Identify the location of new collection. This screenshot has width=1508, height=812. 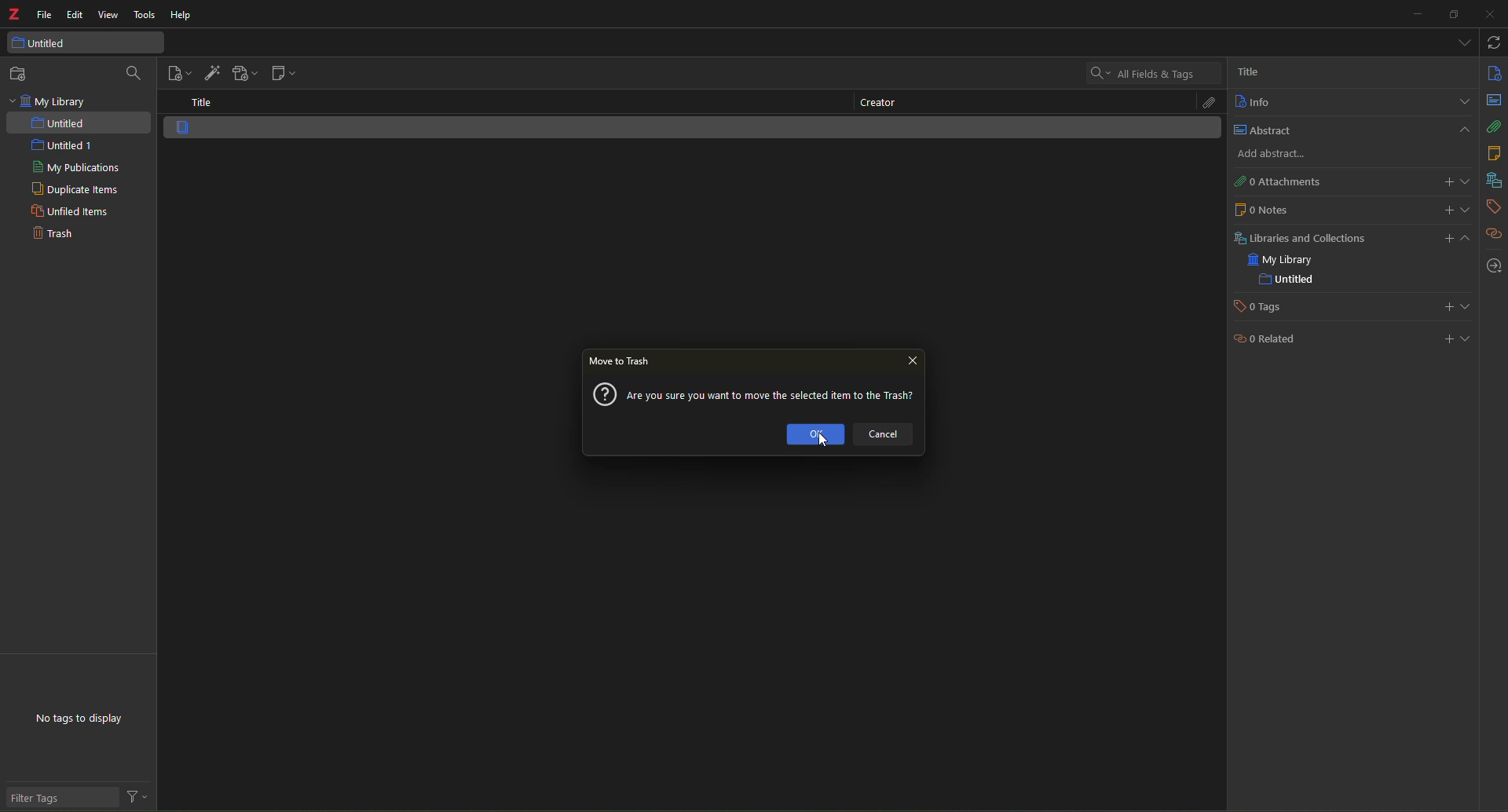
(22, 74).